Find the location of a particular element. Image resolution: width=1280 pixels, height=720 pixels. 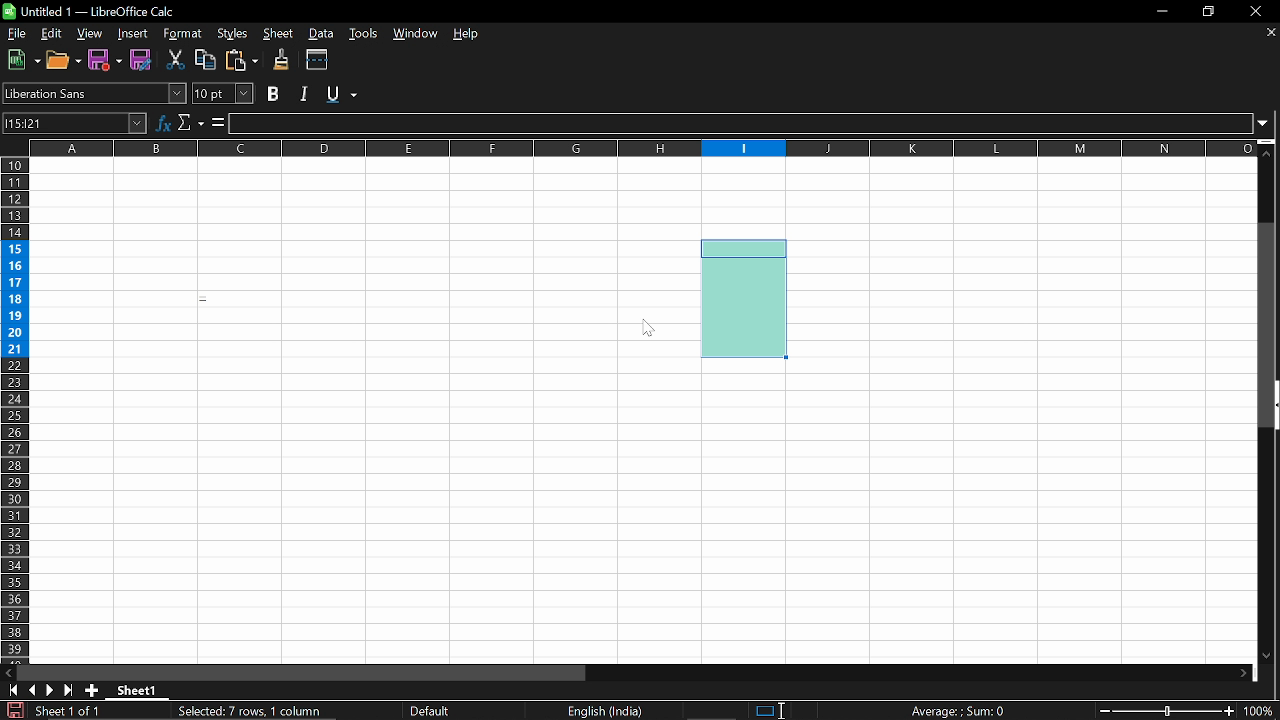

Formula is located at coordinates (218, 124).